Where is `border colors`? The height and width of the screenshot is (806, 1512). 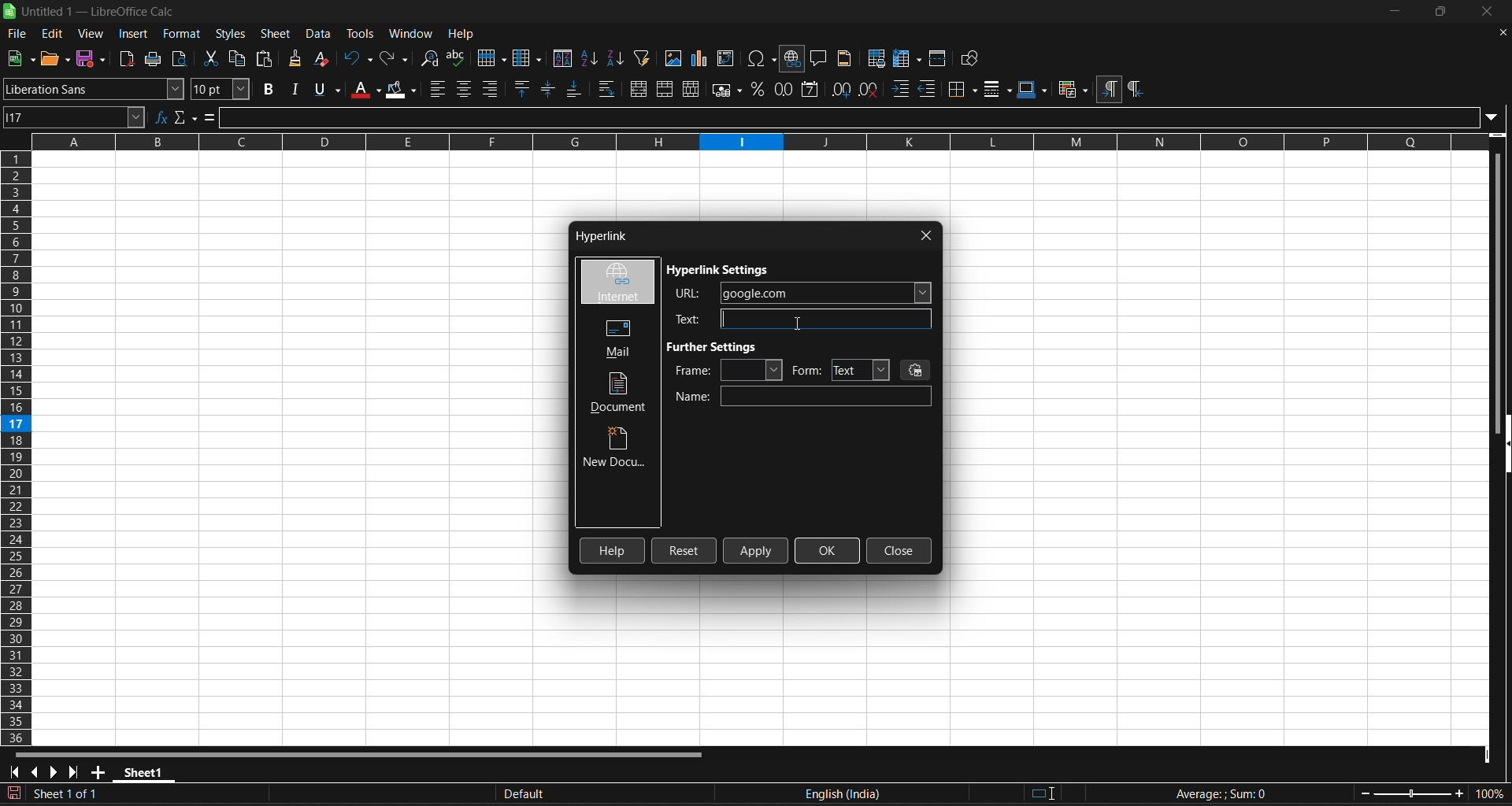
border colors is located at coordinates (1033, 90).